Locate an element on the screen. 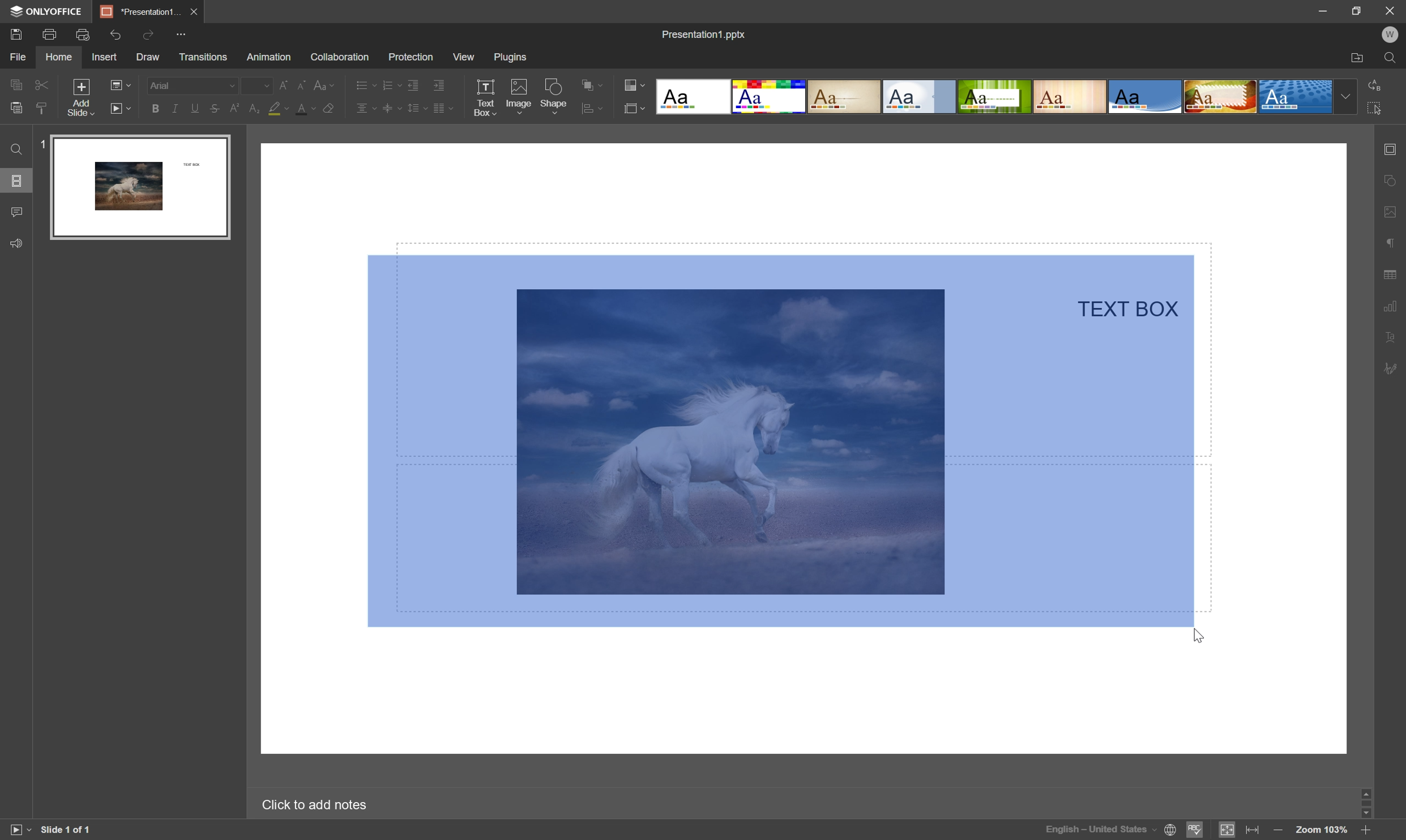  chart settings is located at coordinates (1390, 303).